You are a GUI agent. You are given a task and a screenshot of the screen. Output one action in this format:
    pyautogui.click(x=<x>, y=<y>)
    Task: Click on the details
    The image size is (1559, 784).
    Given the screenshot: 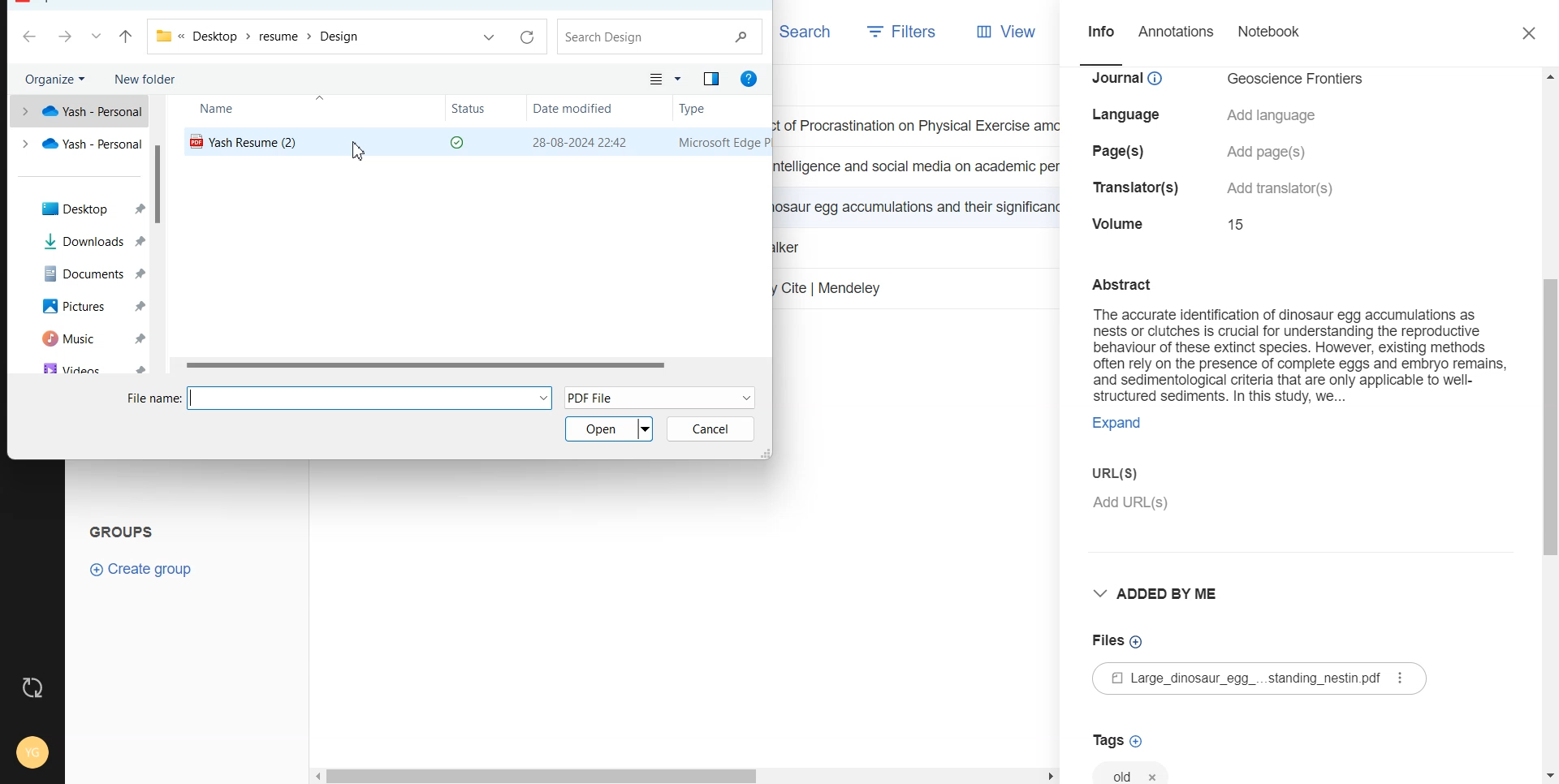 What is the action you would take?
    pyautogui.click(x=1120, y=152)
    